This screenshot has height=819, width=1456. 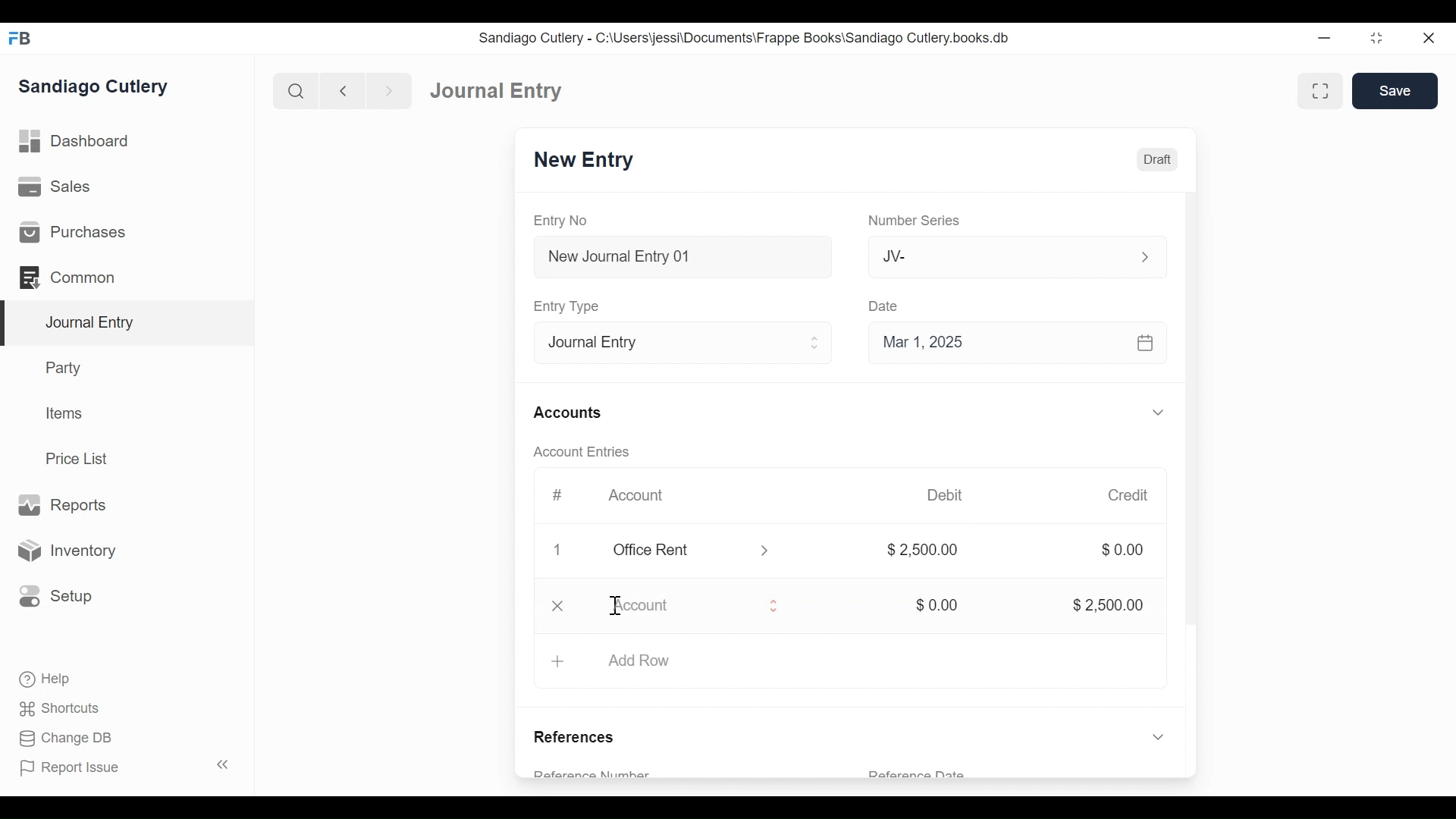 What do you see at coordinates (689, 551) in the screenshot?
I see `office rent` at bounding box center [689, 551].